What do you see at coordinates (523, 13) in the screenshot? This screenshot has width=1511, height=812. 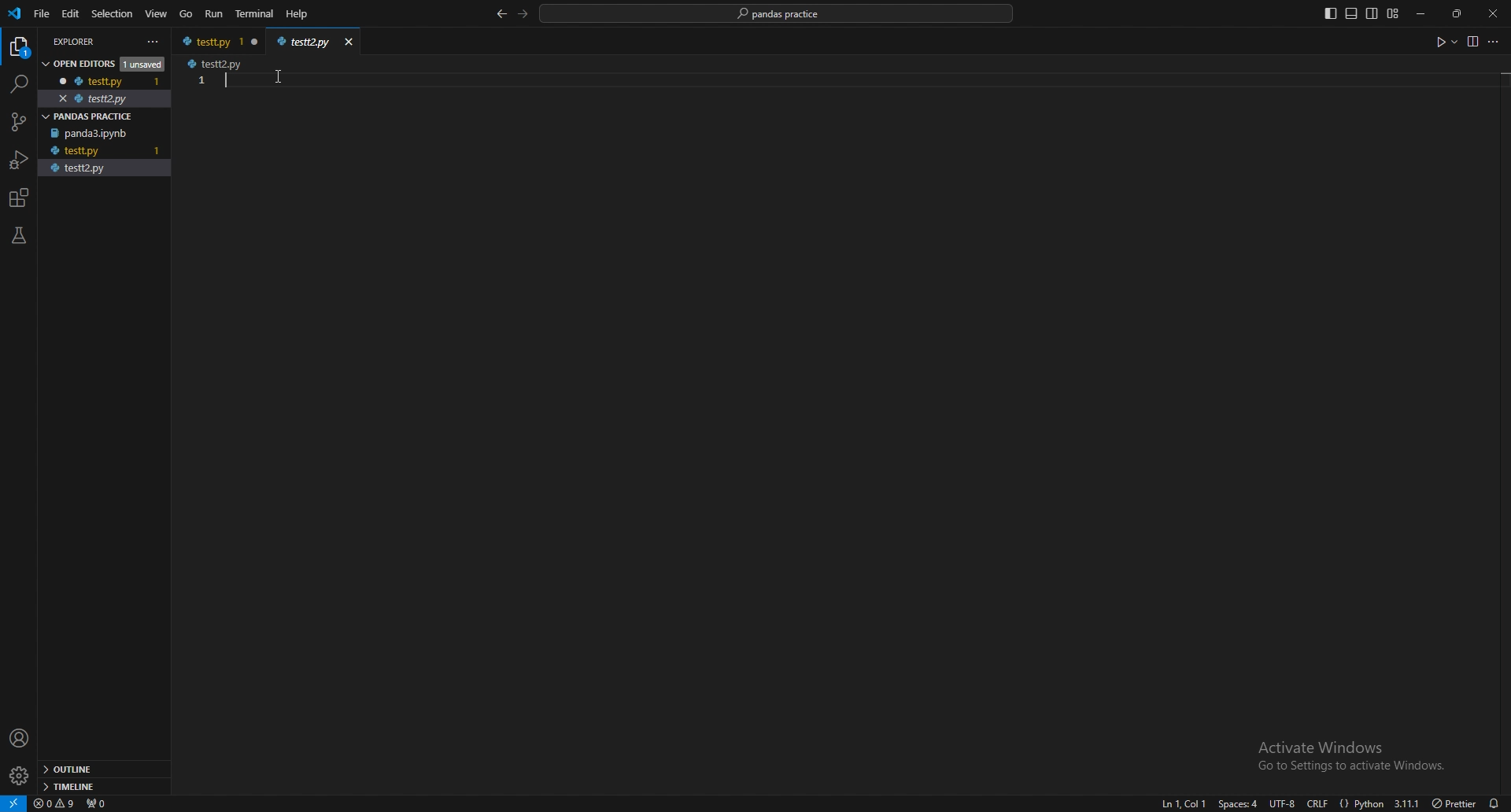 I see `forward` at bounding box center [523, 13].